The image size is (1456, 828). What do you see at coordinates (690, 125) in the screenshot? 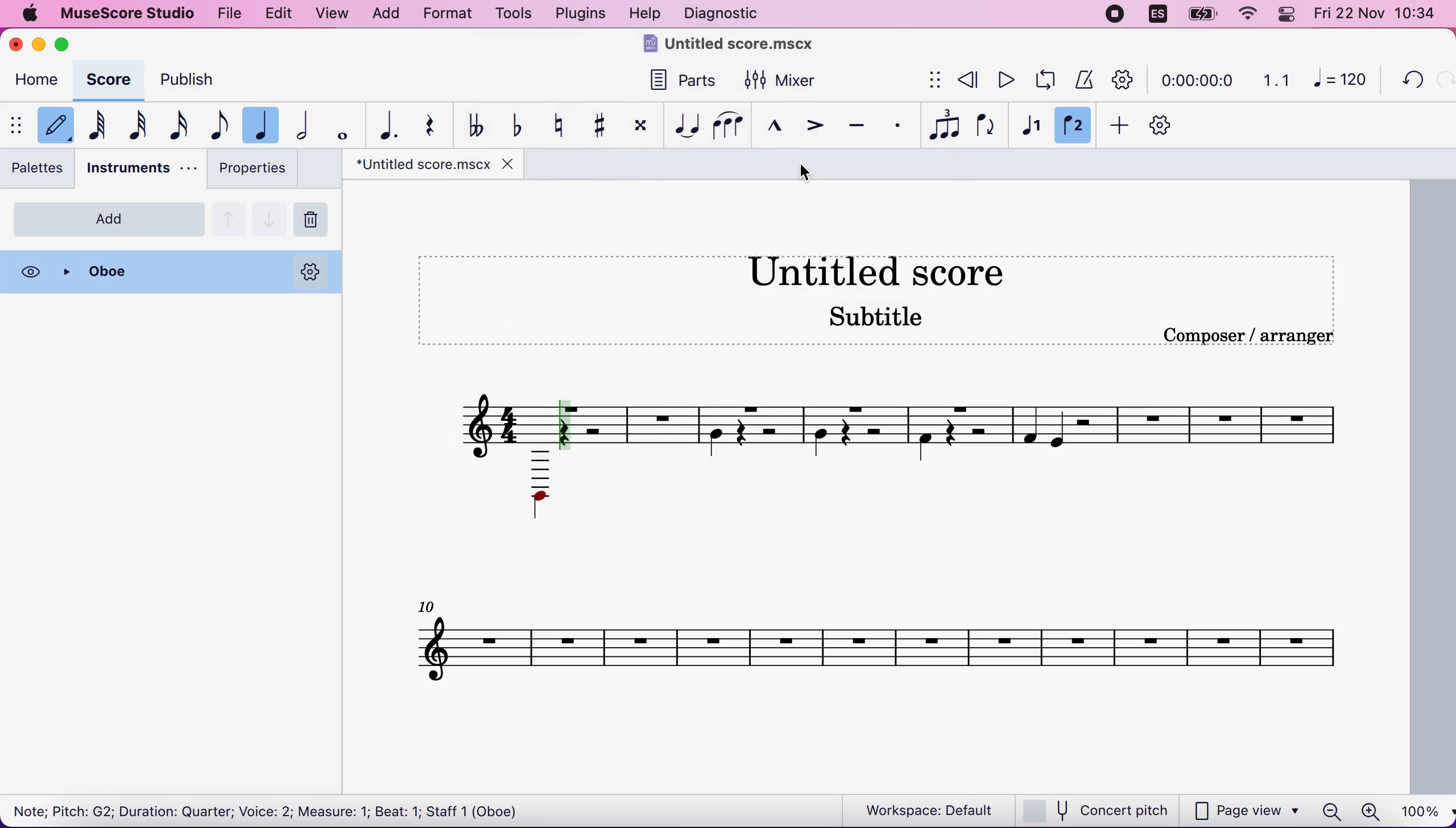
I see `tie` at bounding box center [690, 125].